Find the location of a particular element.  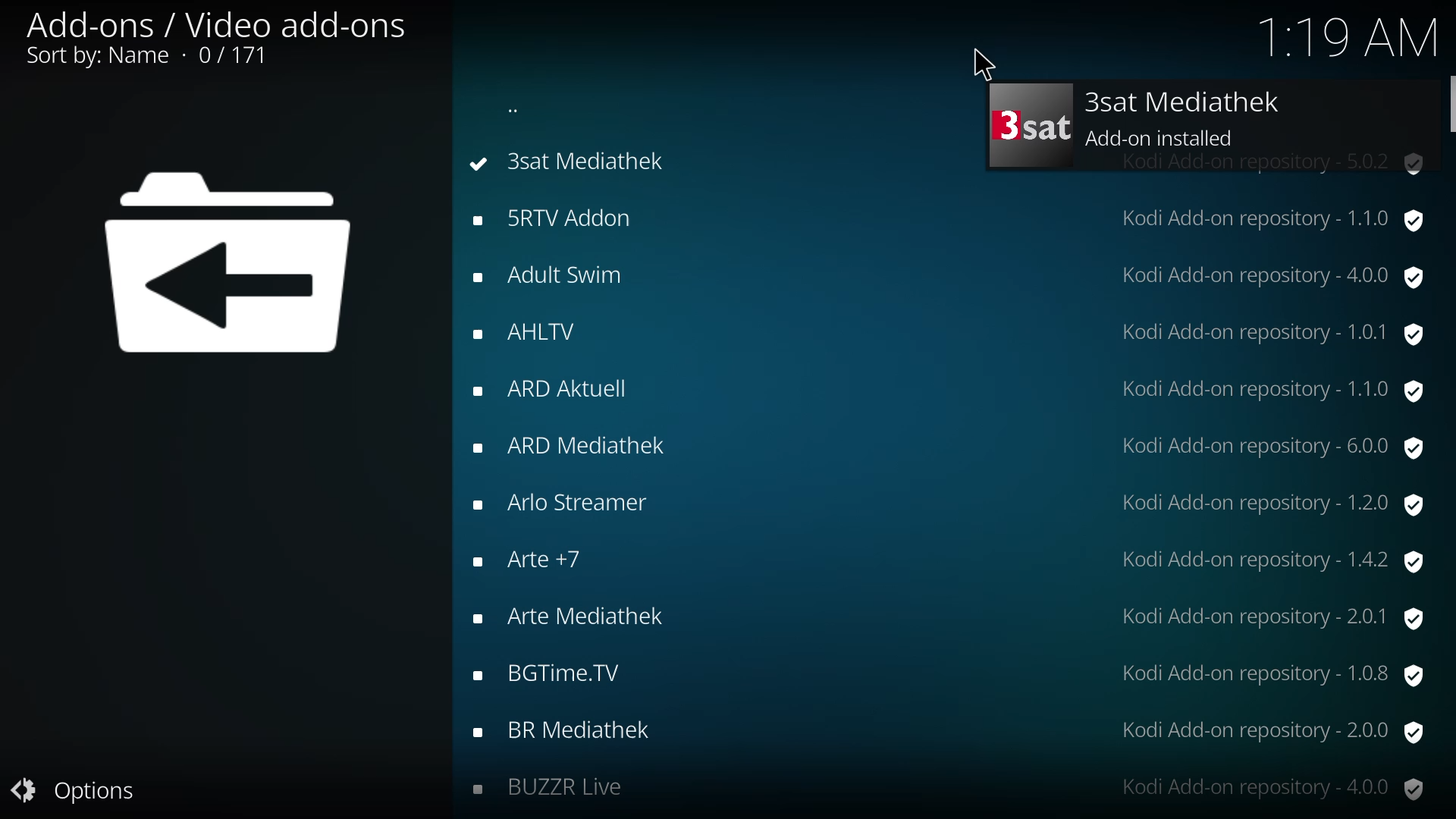

add-ons is located at coordinates (544, 673).